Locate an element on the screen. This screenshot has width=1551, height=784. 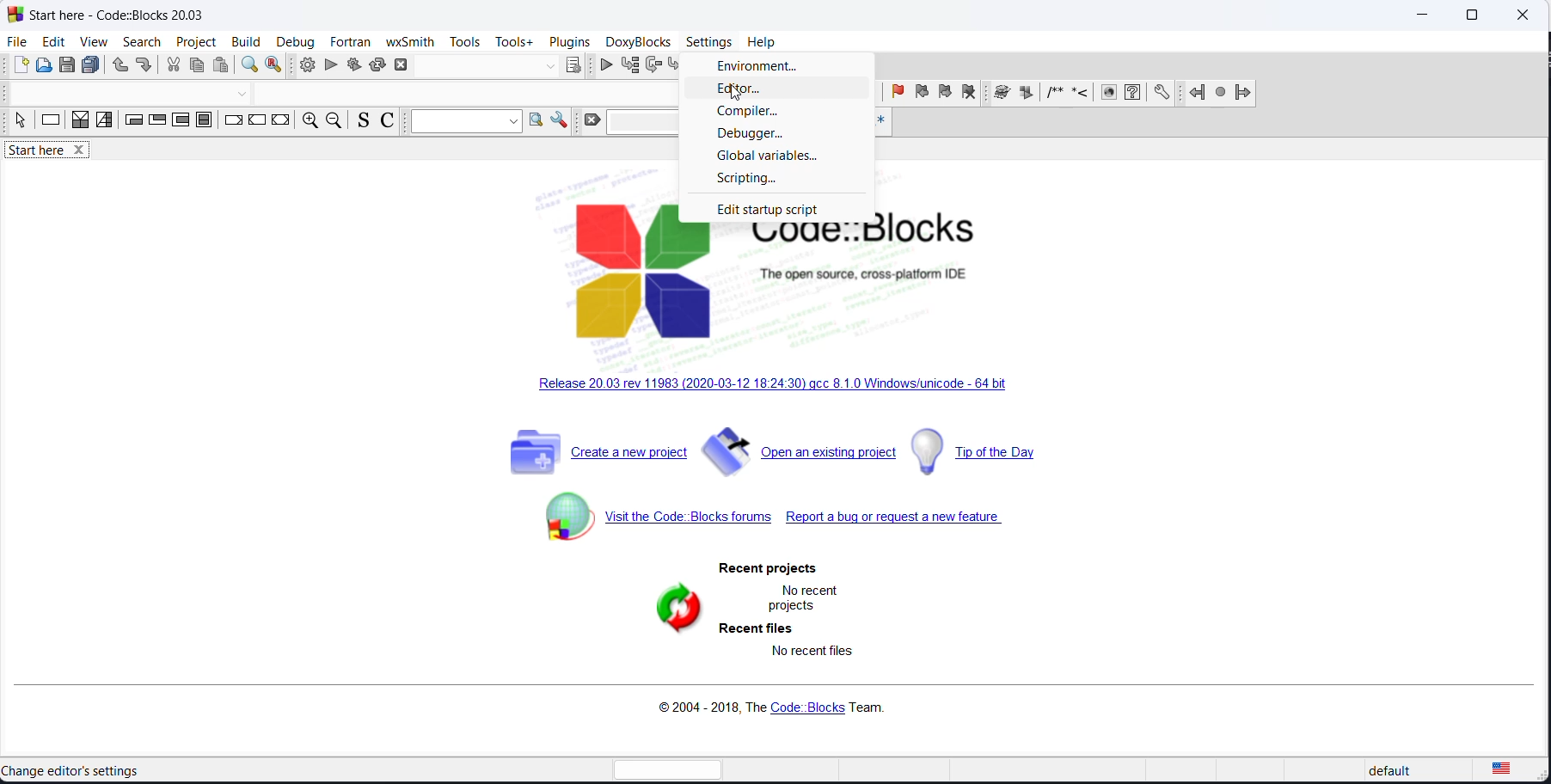
select is located at coordinates (17, 123).